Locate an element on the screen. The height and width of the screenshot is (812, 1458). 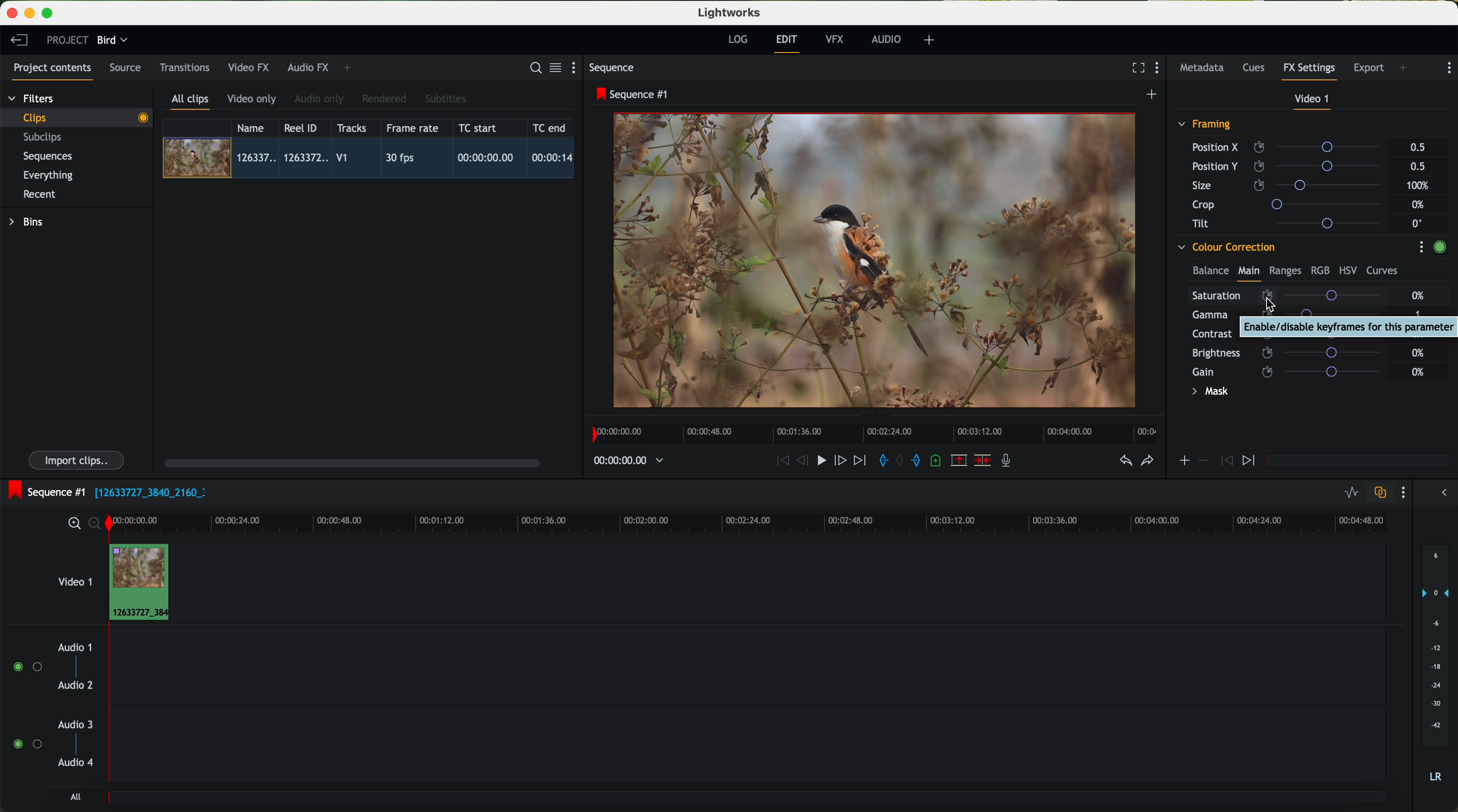
HSV is located at coordinates (1347, 270).